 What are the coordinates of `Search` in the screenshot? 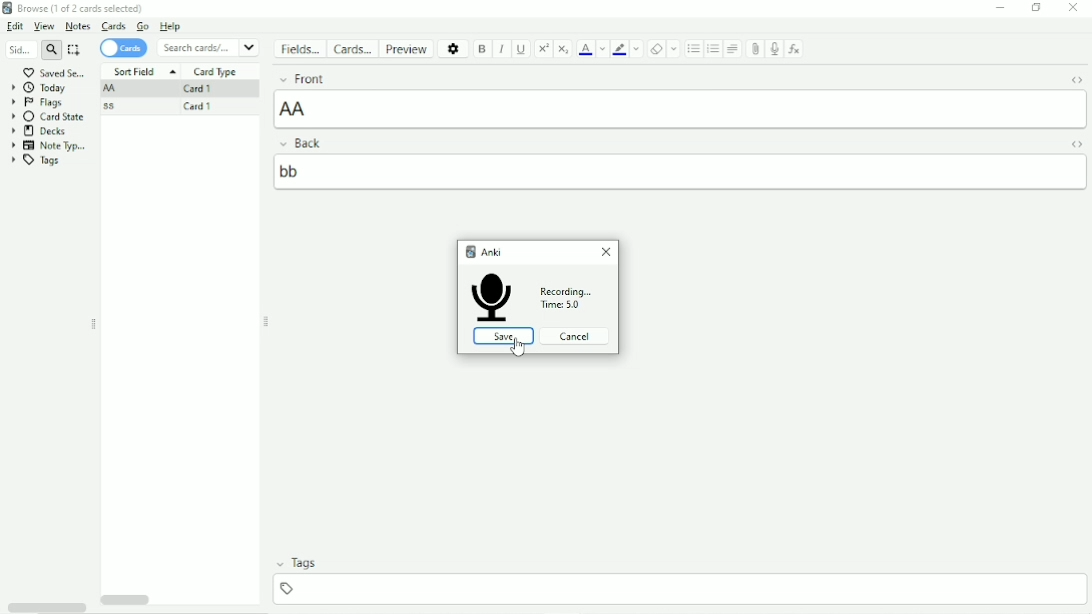 It's located at (32, 50).